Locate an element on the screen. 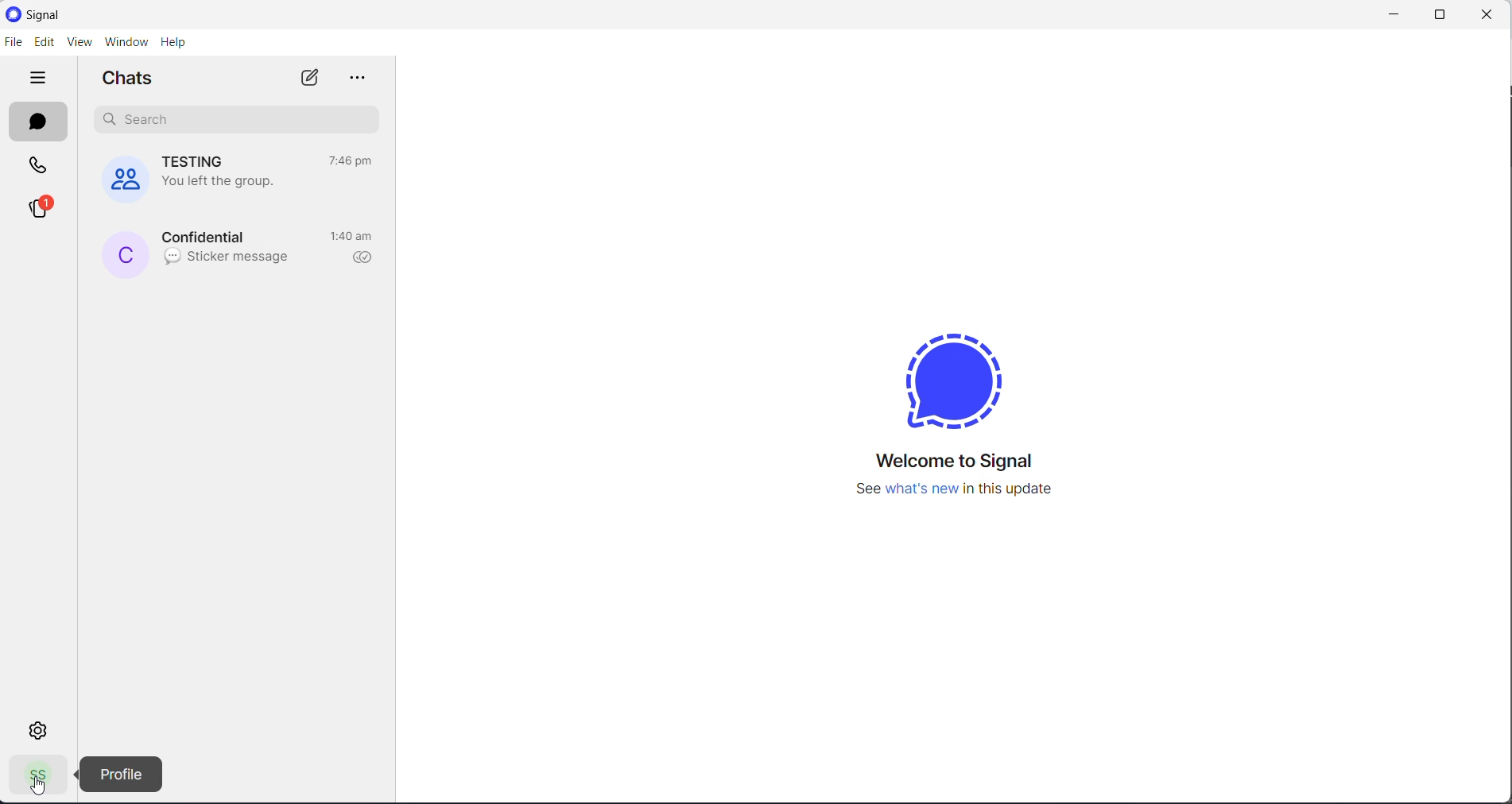 The width and height of the screenshot is (1512, 804). read recipient is located at coordinates (367, 258).